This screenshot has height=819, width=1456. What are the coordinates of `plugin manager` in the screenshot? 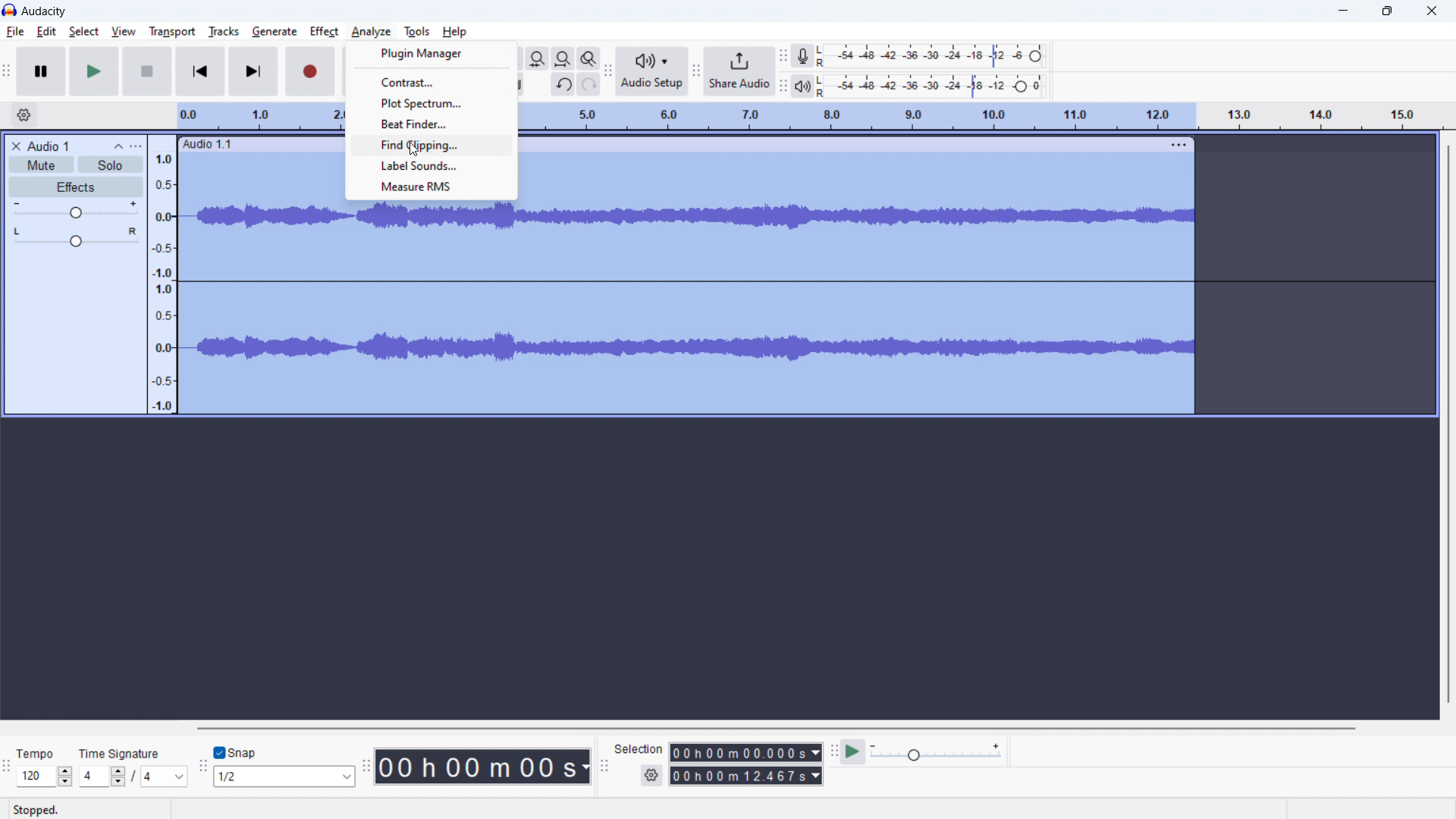 It's located at (431, 53).